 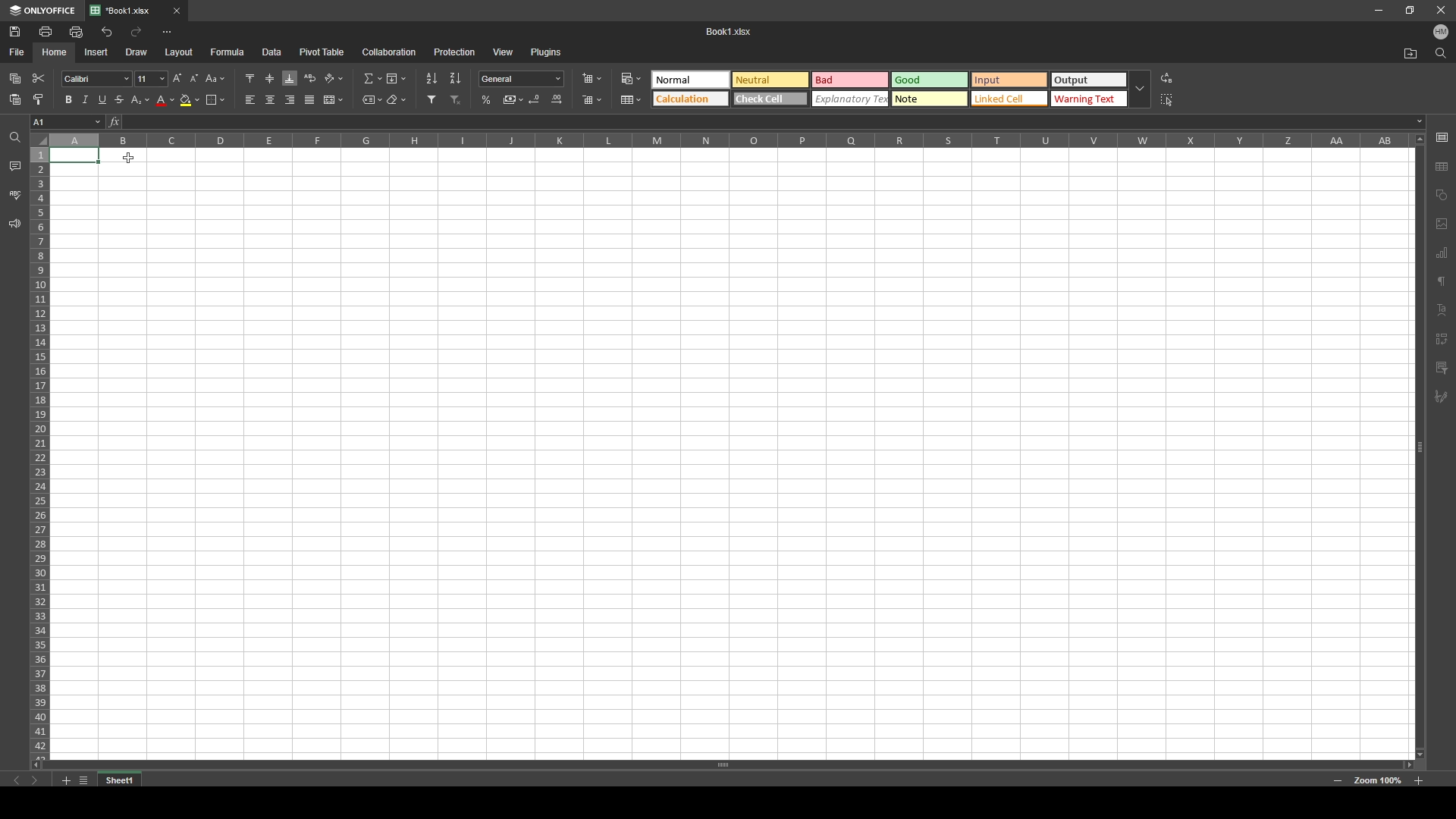 I want to click on search, so click(x=1440, y=53).